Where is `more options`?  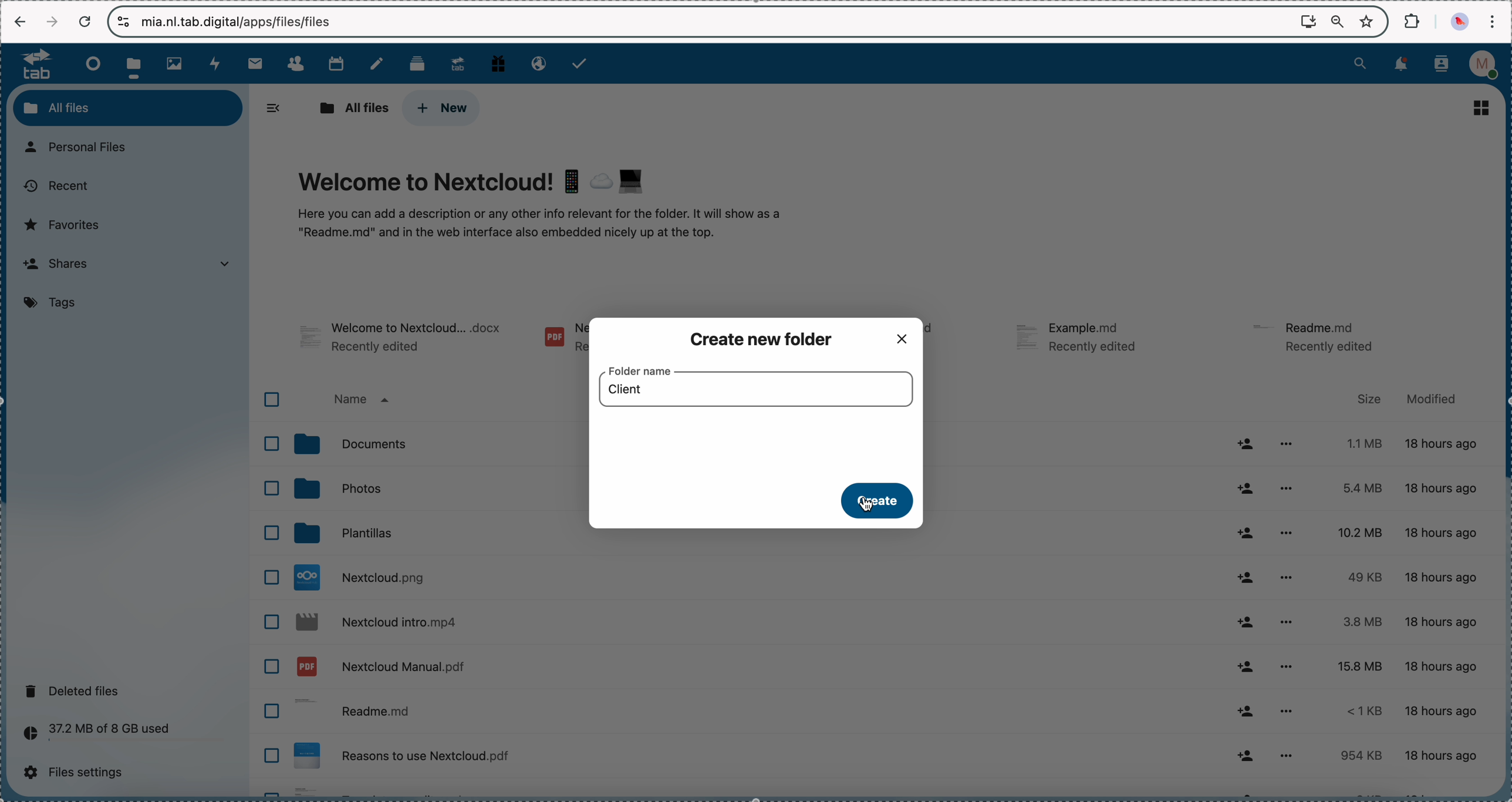 more options is located at coordinates (1284, 712).